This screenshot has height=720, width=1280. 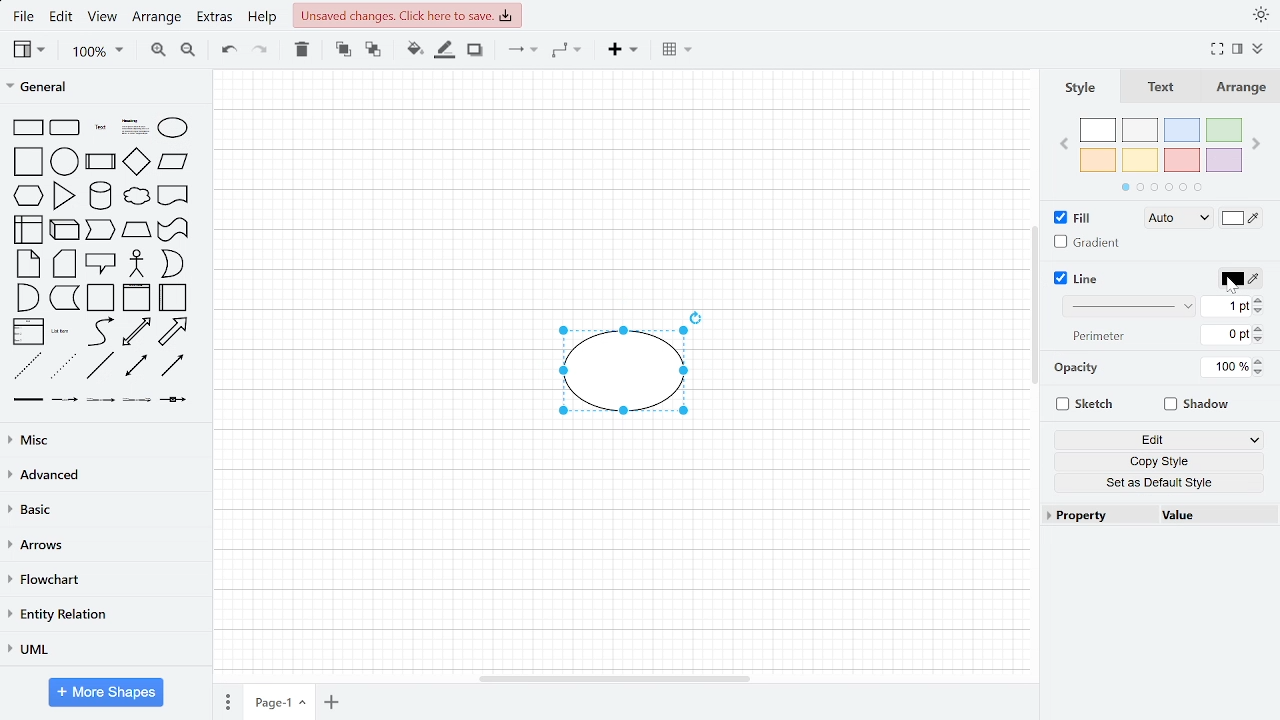 What do you see at coordinates (406, 15) in the screenshot?
I see `Unsaved changes. click here to save` at bounding box center [406, 15].